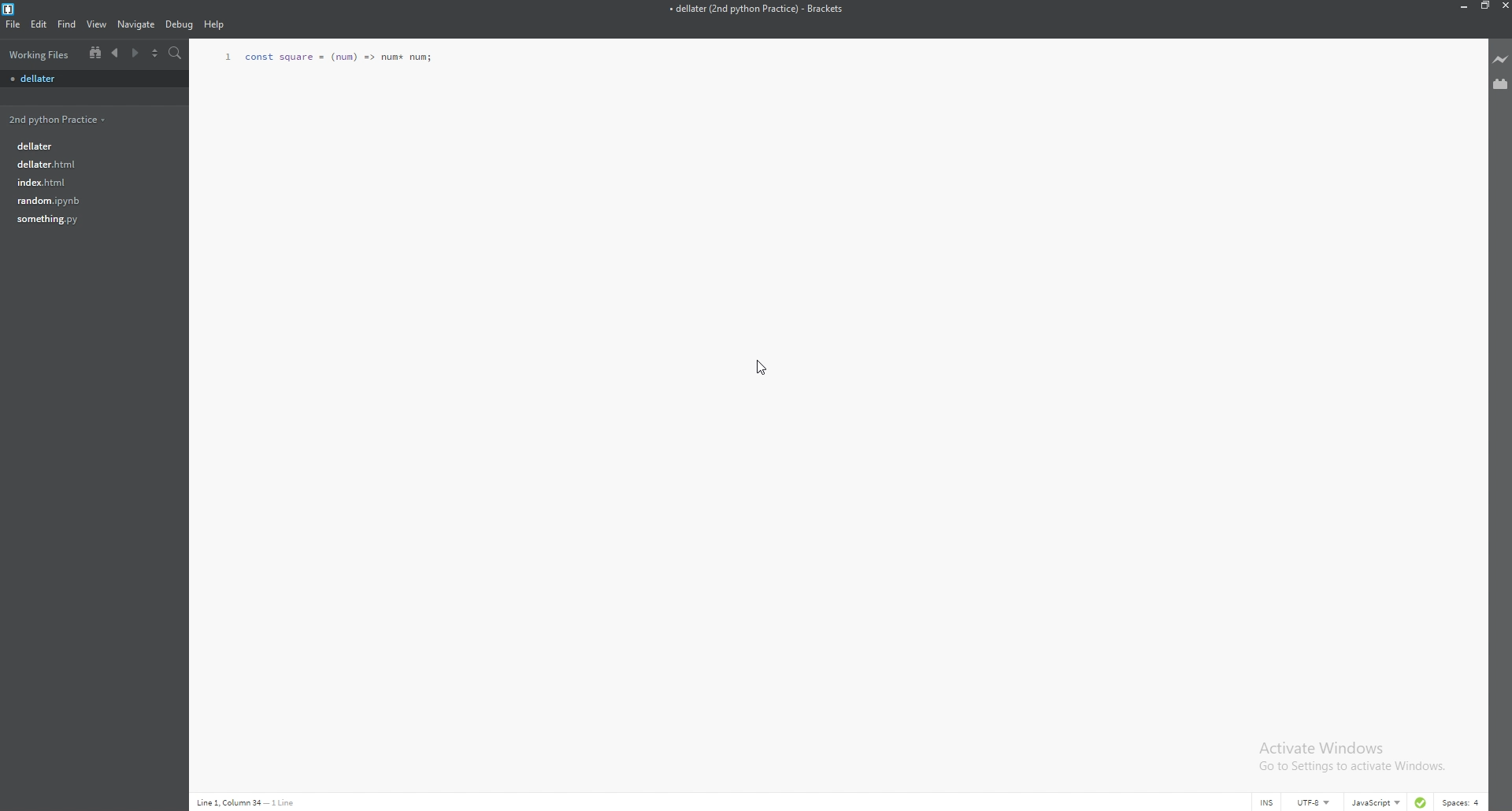  I want to click on file, so click(89, 200).